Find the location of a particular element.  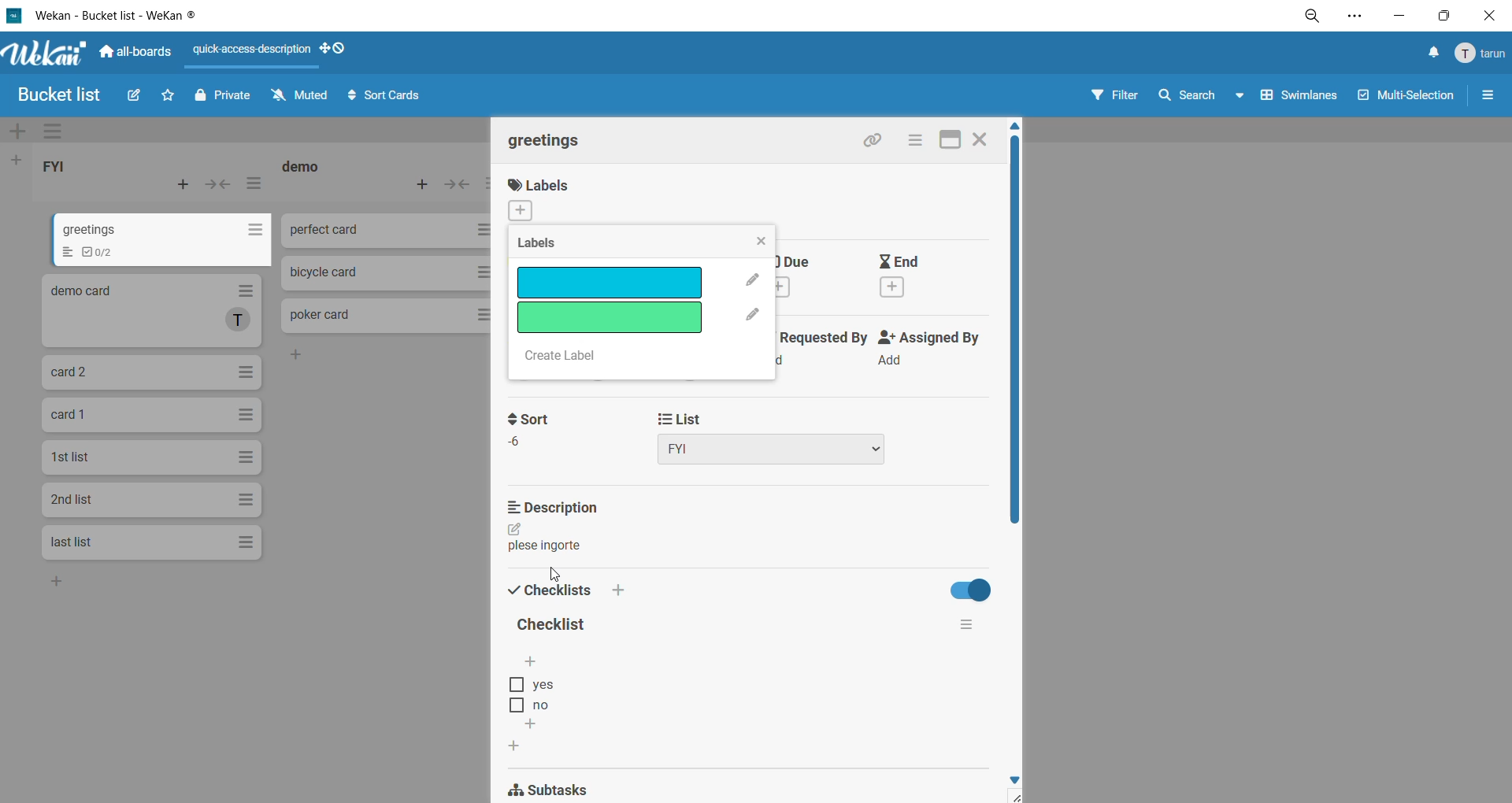

filter is located at coordinates (1111, 96).